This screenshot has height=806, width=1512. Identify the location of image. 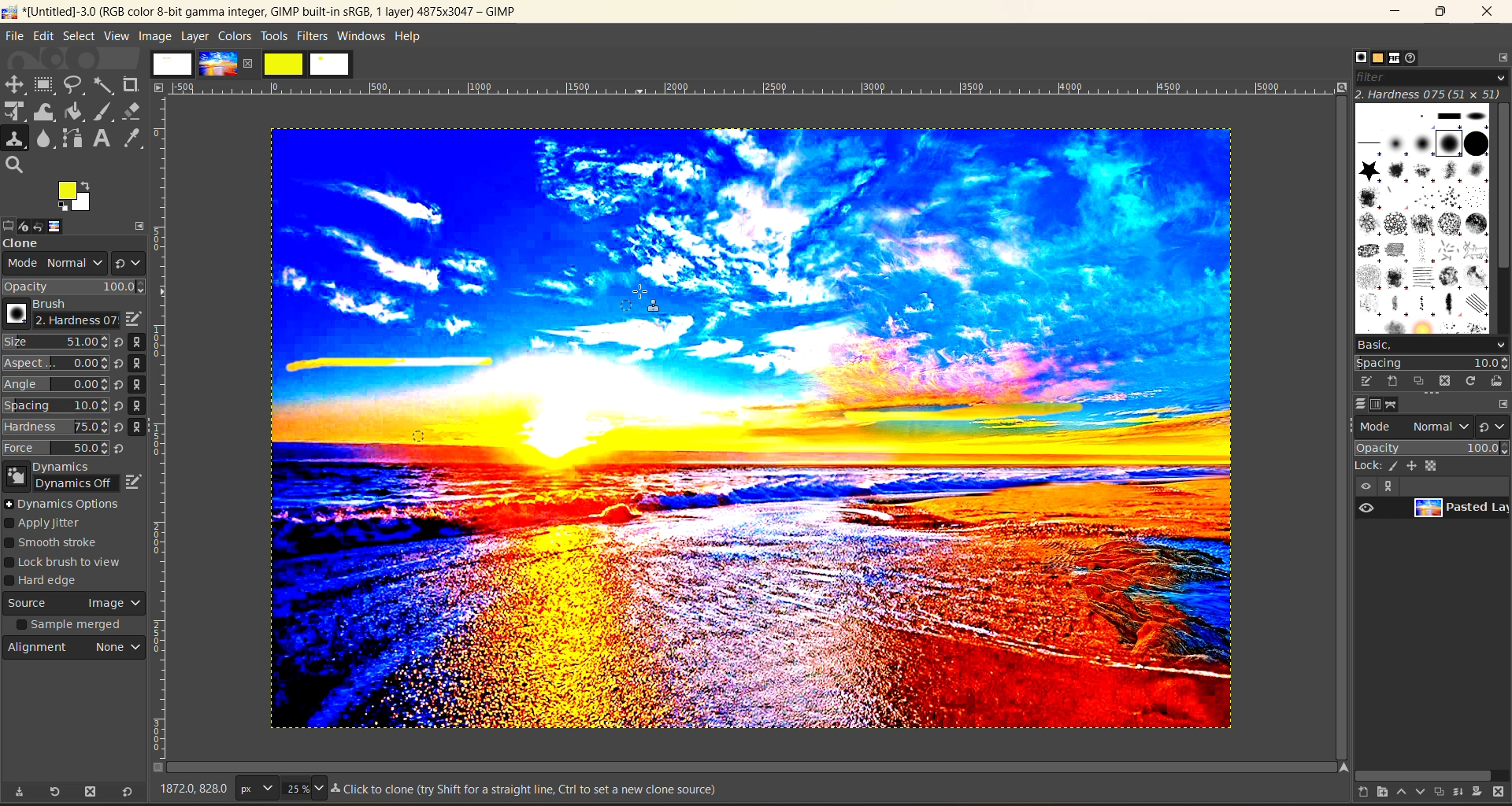
(217, 64).